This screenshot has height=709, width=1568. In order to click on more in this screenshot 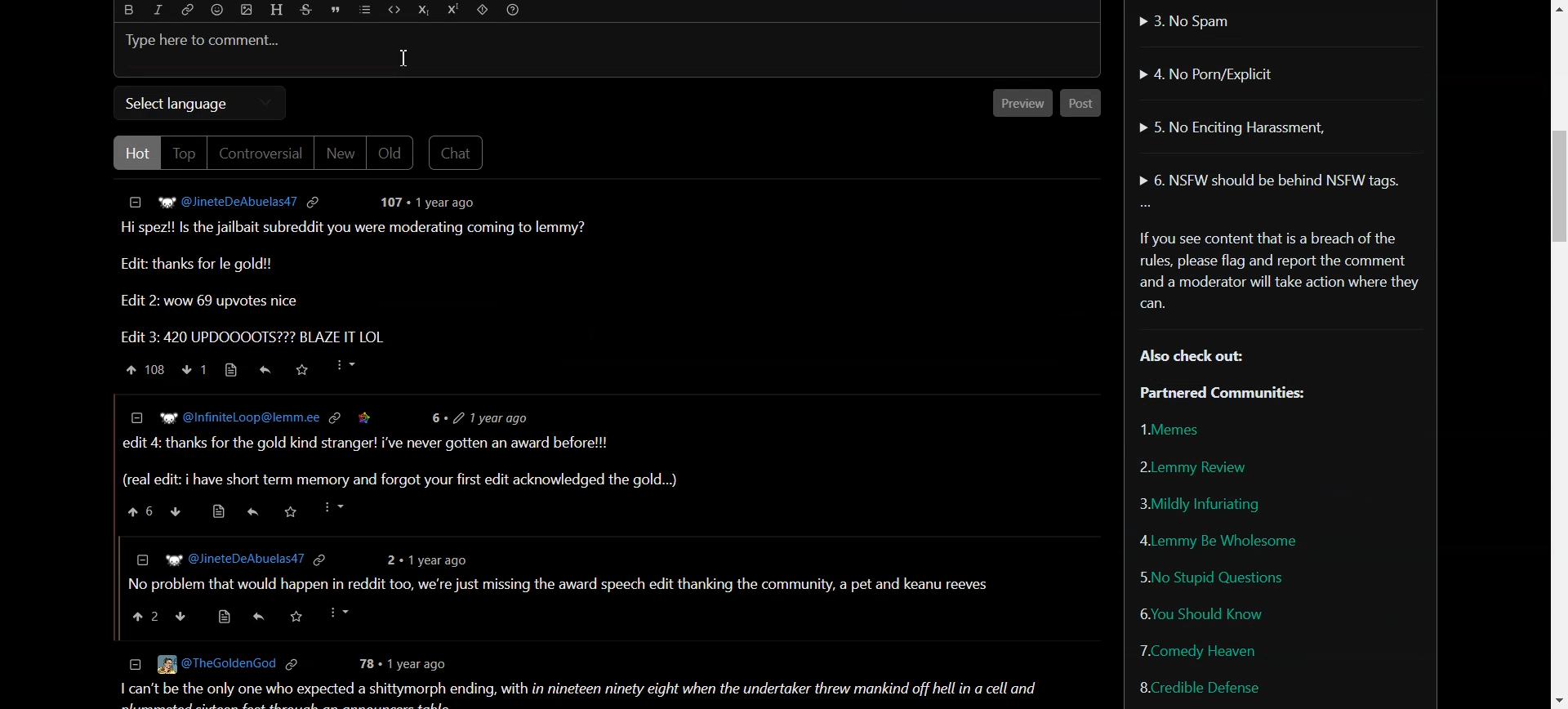, I will do `click(338, 613)`.